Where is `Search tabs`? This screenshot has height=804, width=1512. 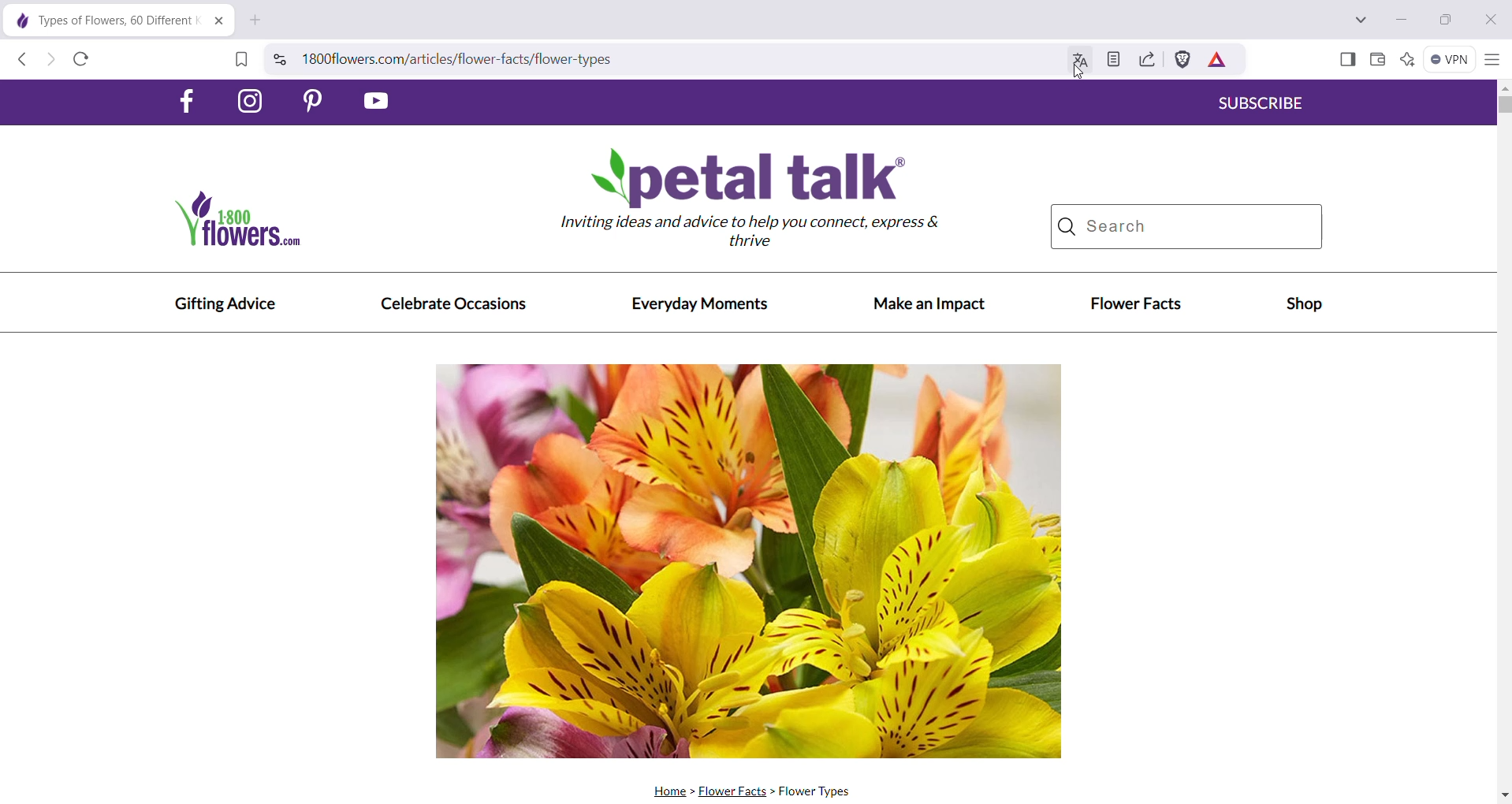
Search tabs is located at coordinates (1360, 21).